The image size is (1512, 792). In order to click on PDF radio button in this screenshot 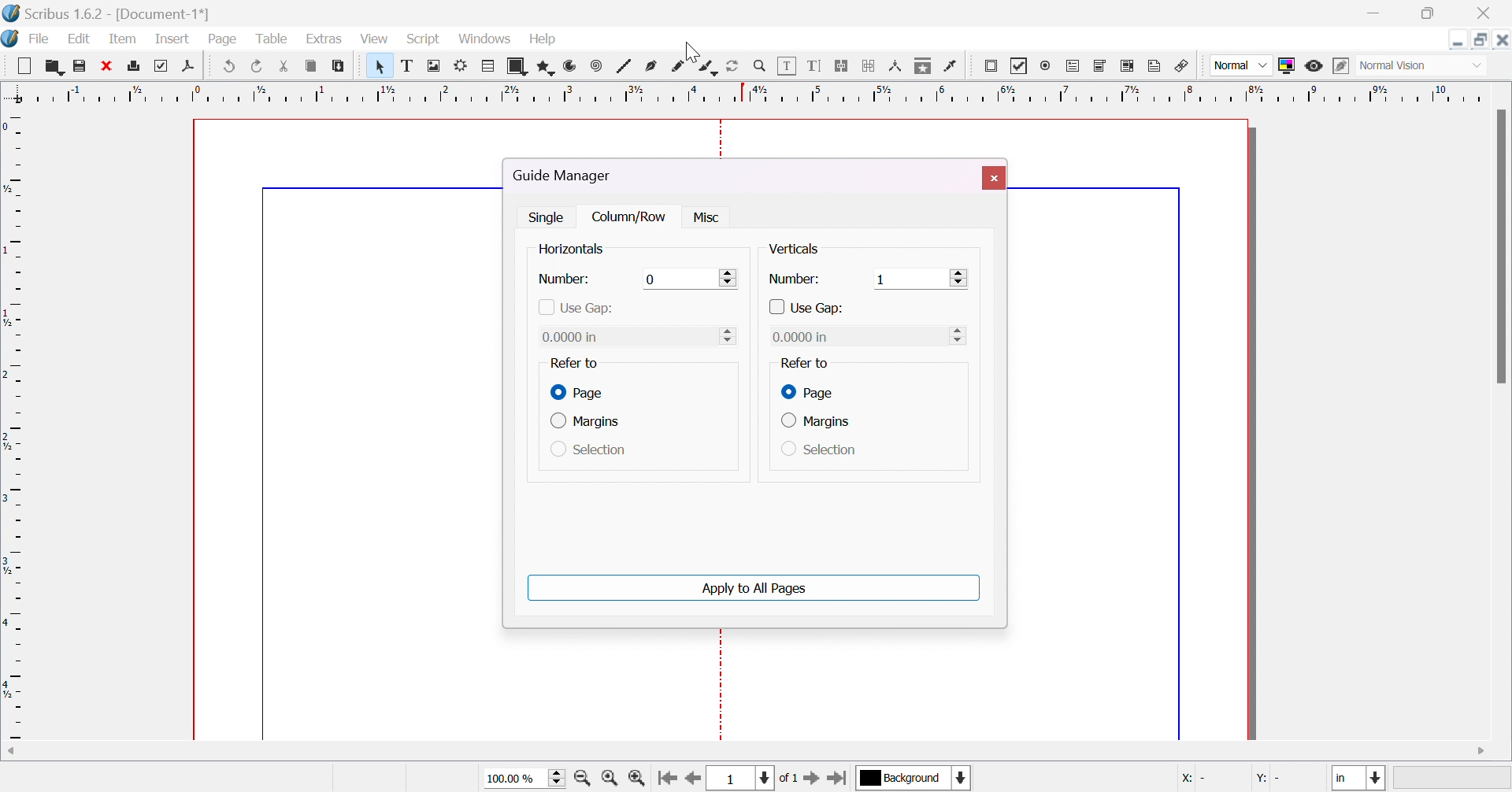, I will do `click(1047, 66)`.